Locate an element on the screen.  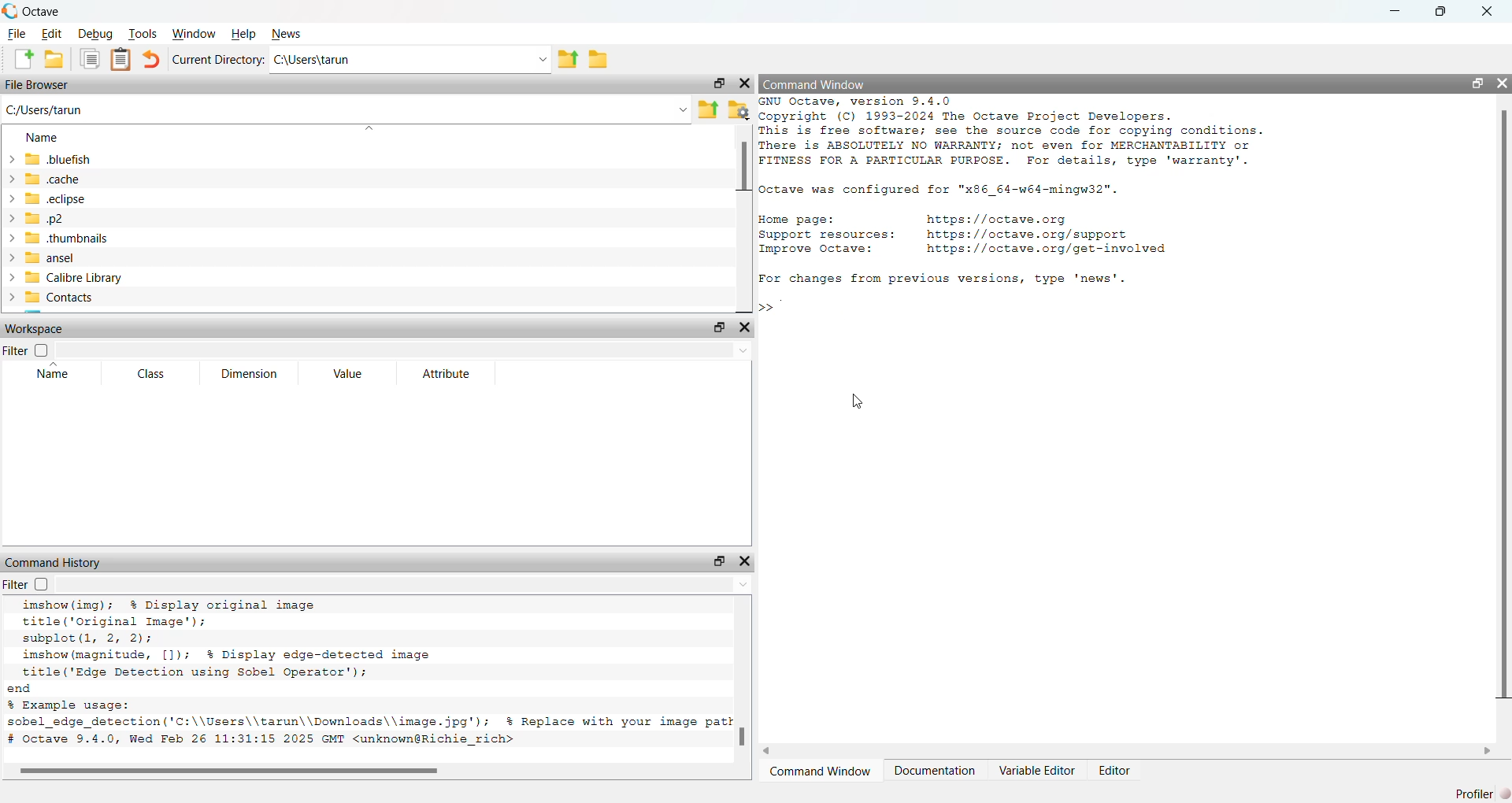
 Contacts is located at coordinates (54, 298).